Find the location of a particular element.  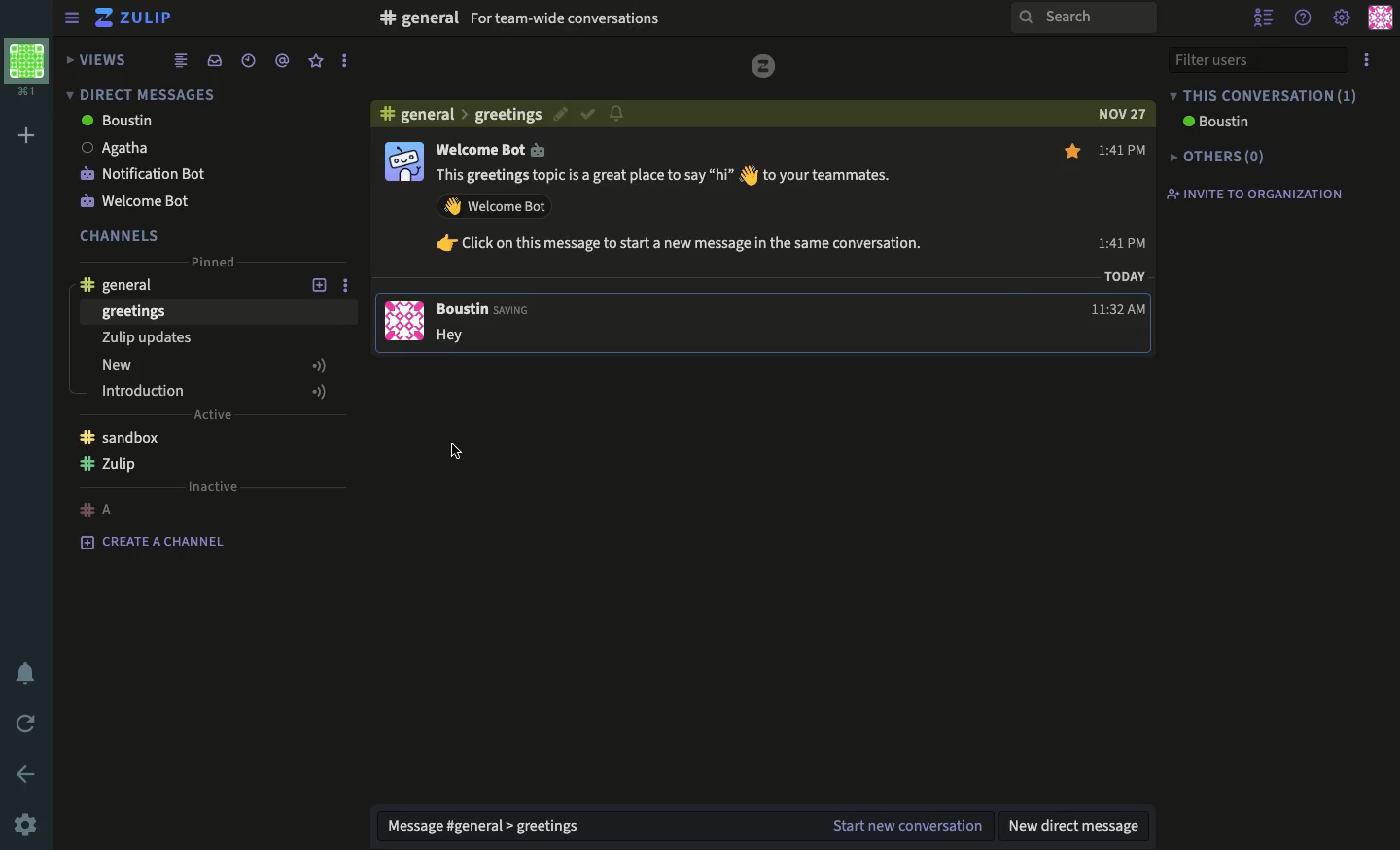

notification  is located at coordinates (618, 115).